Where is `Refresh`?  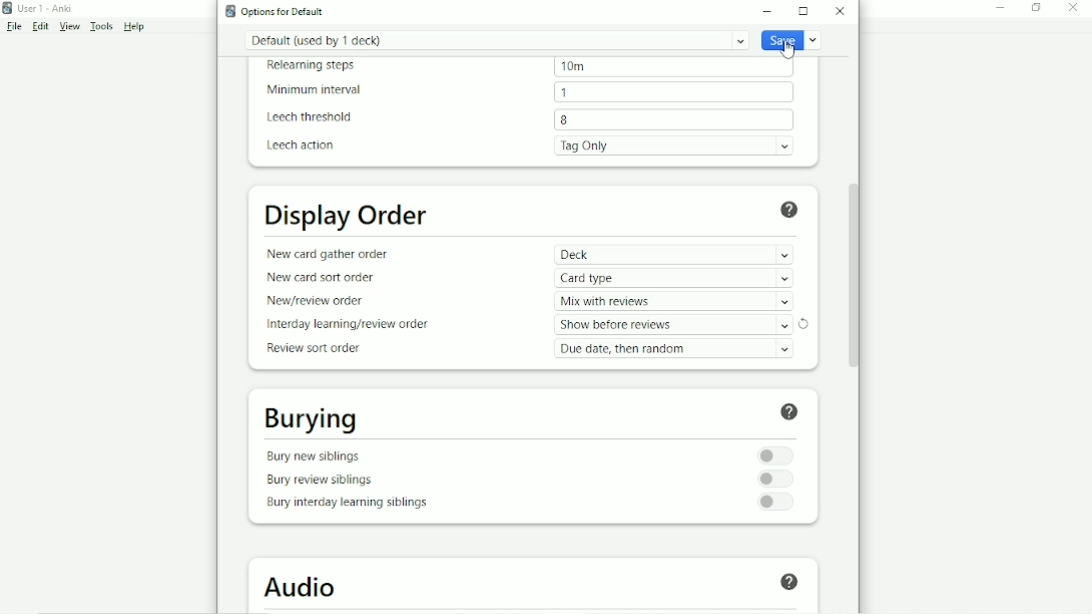
Refresh is located at coordinates (805, 324).